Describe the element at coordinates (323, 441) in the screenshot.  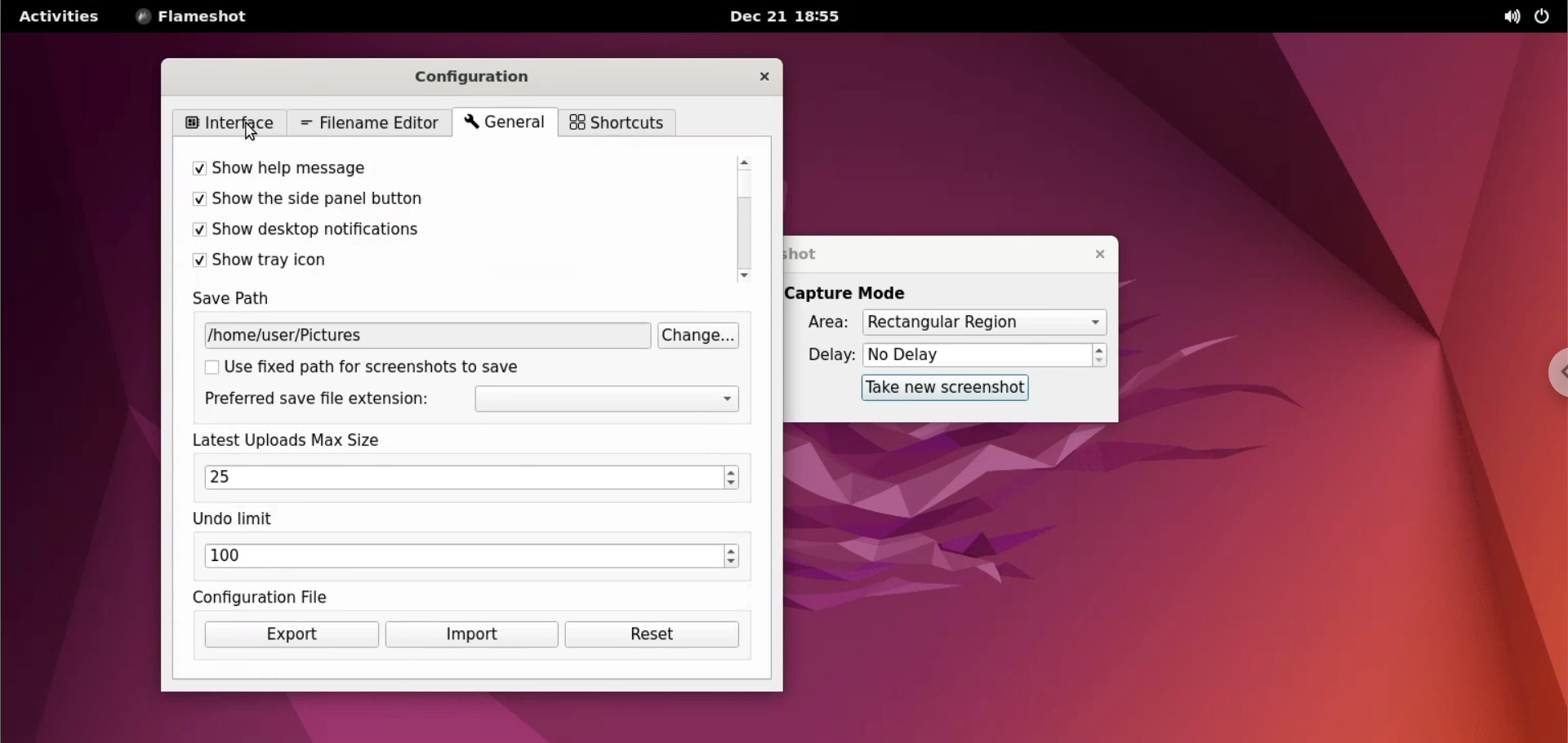
I see `latest upload max size` at that location.